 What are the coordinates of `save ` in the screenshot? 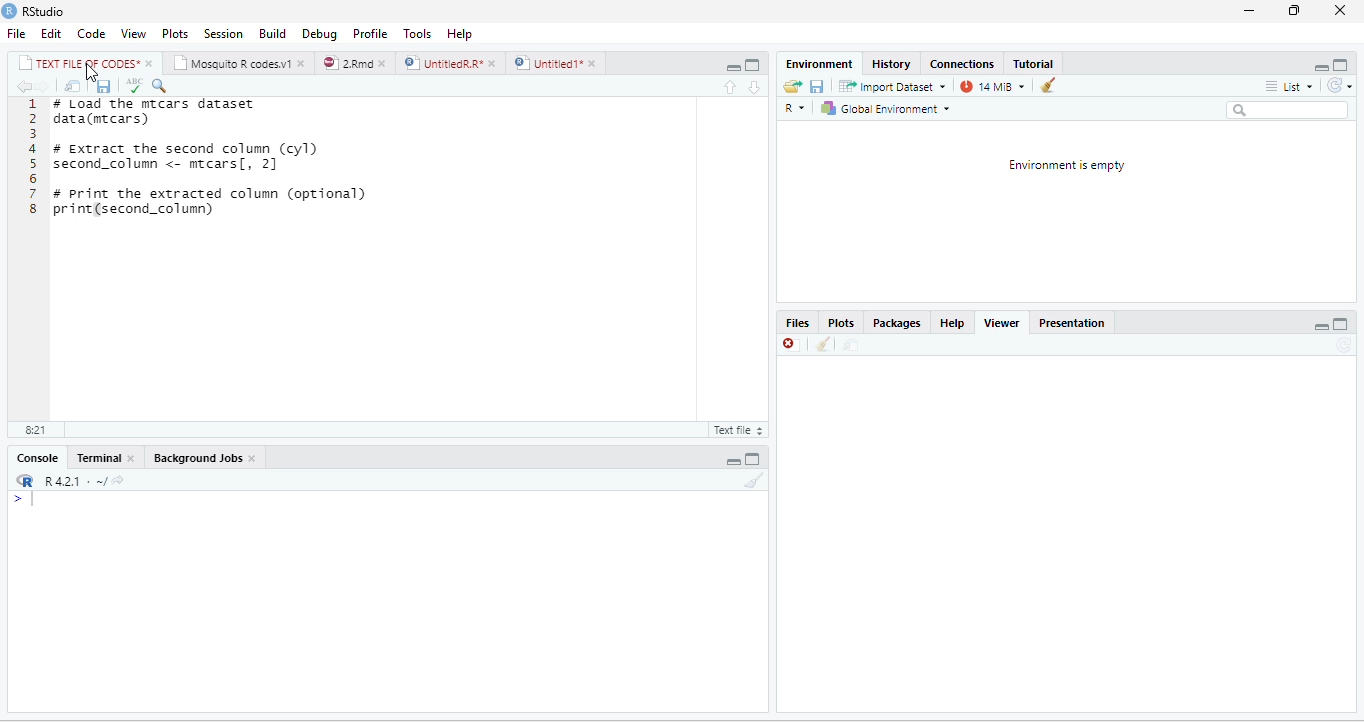 It's located at (818, 86).